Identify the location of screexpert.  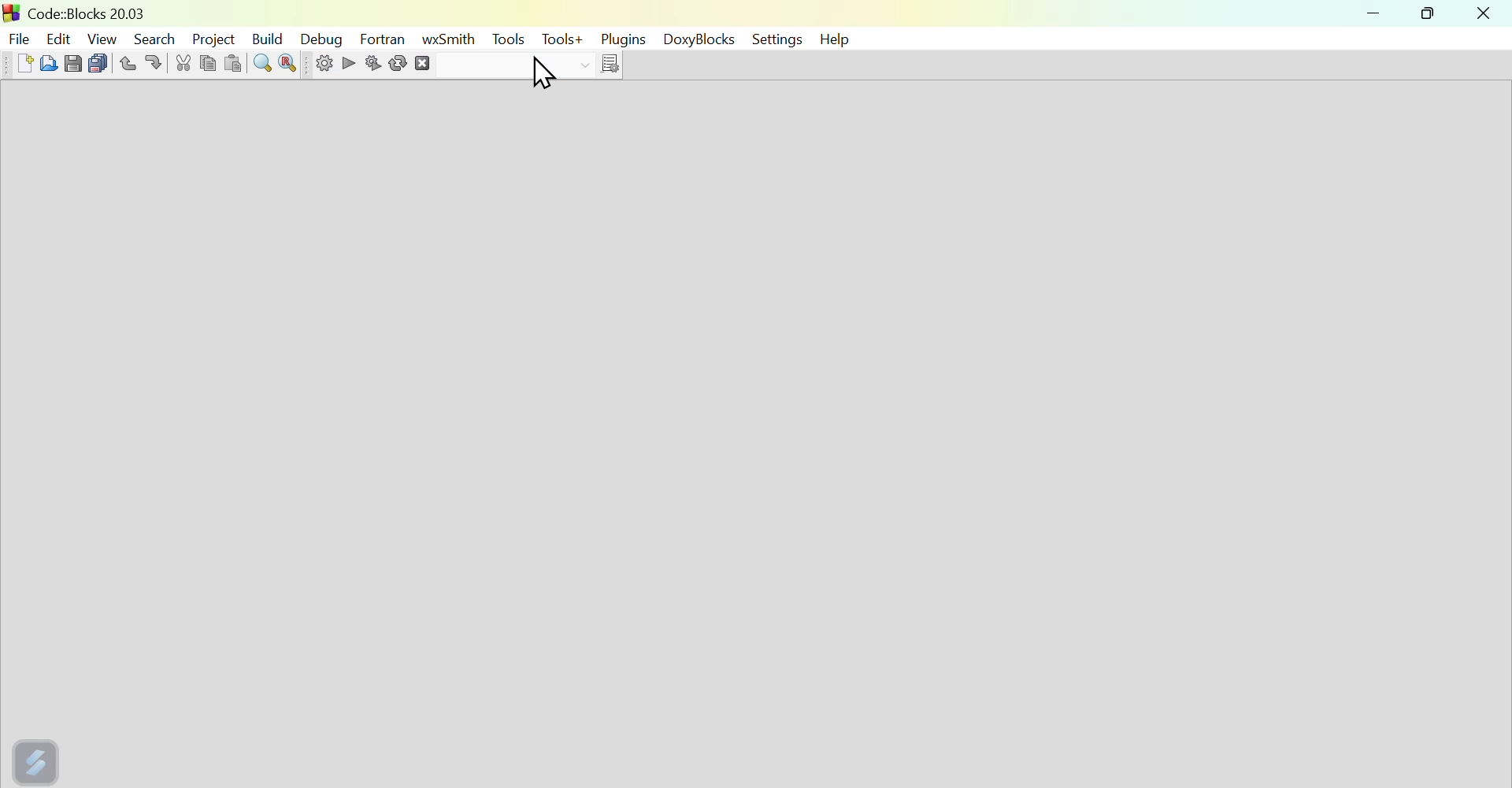
(39, 759).